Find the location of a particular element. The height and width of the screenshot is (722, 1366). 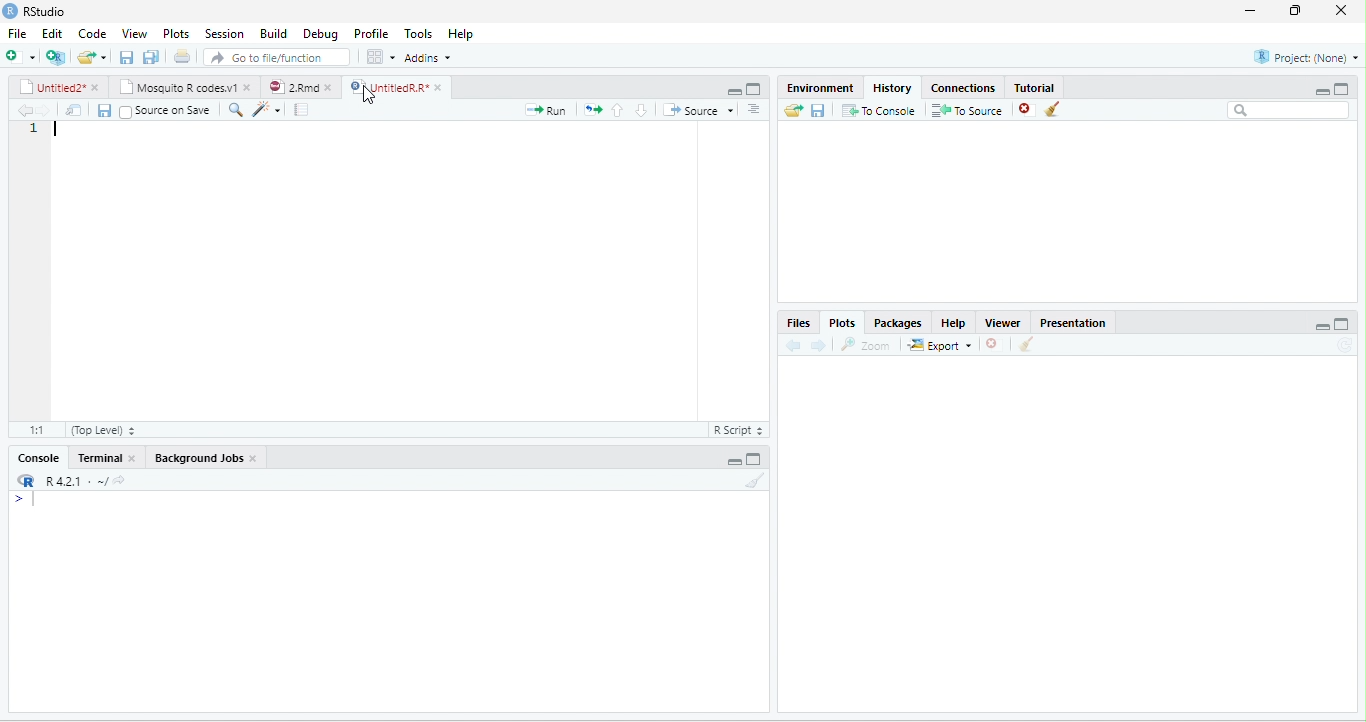

+ Run is located at coordinates (538, 110).